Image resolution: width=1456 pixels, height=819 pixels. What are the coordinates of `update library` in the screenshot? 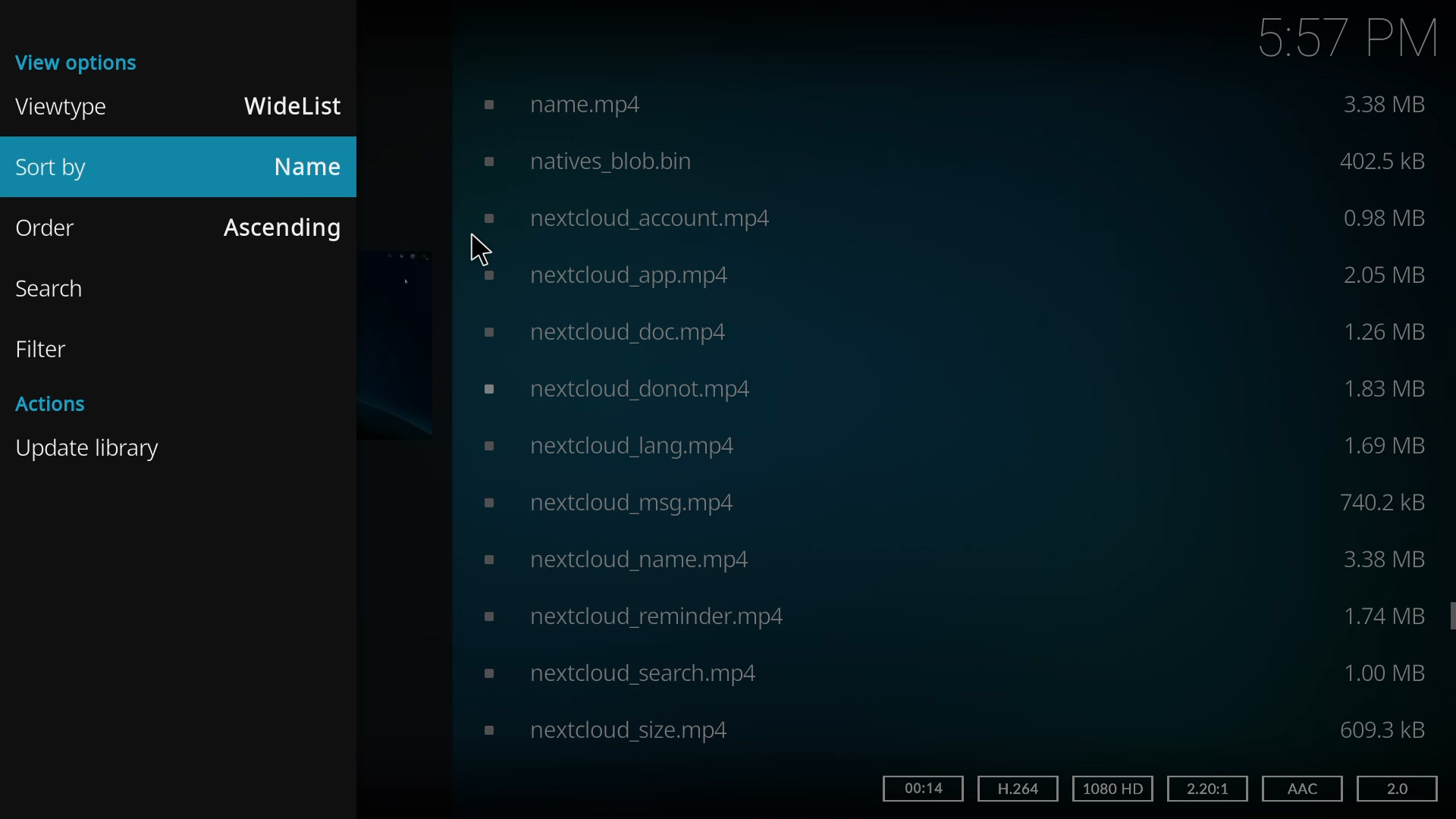 It's located at (93, 447).